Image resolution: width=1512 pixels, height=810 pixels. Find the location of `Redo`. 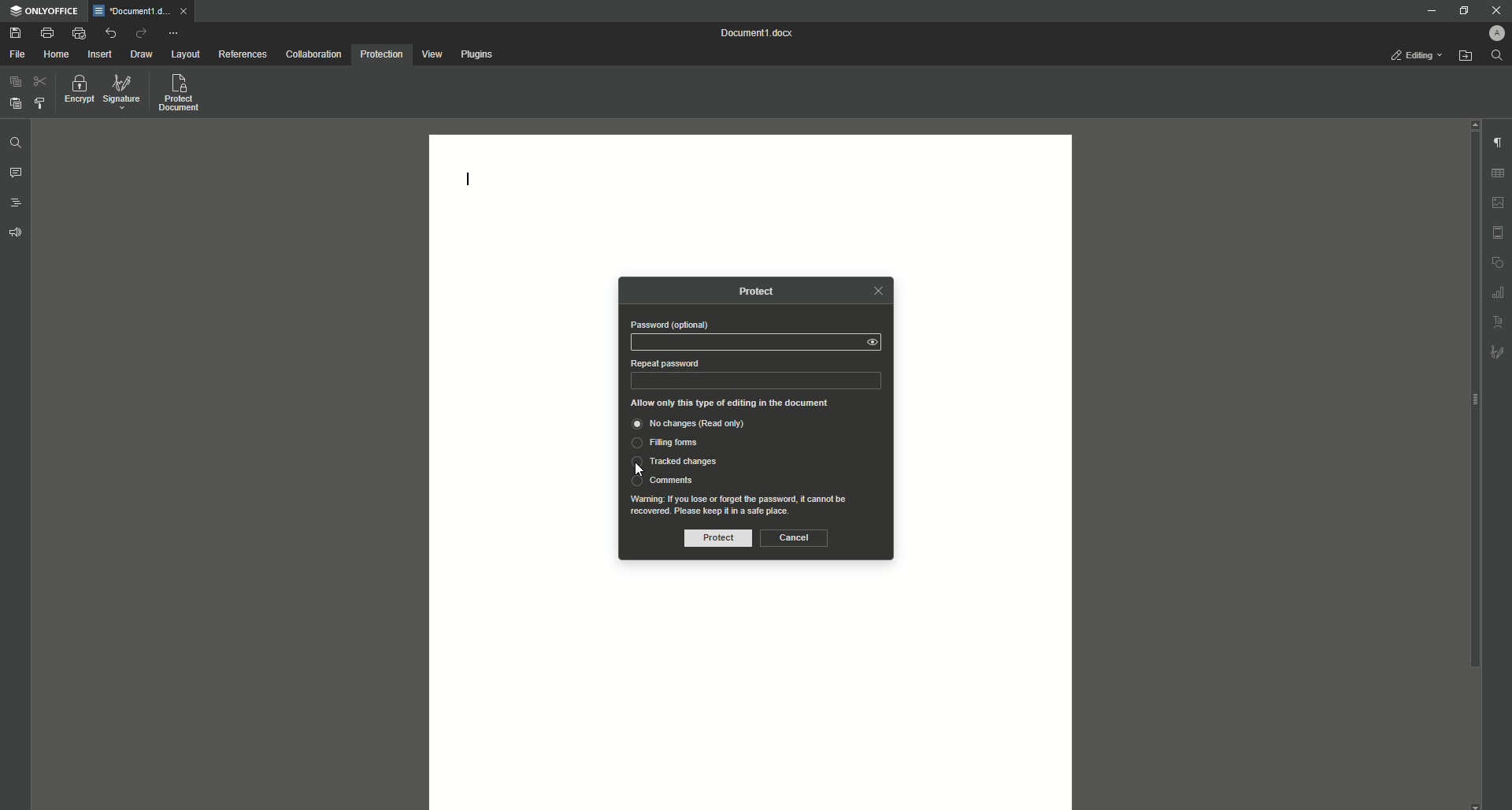

Redo is located at coordinates (141, 32).